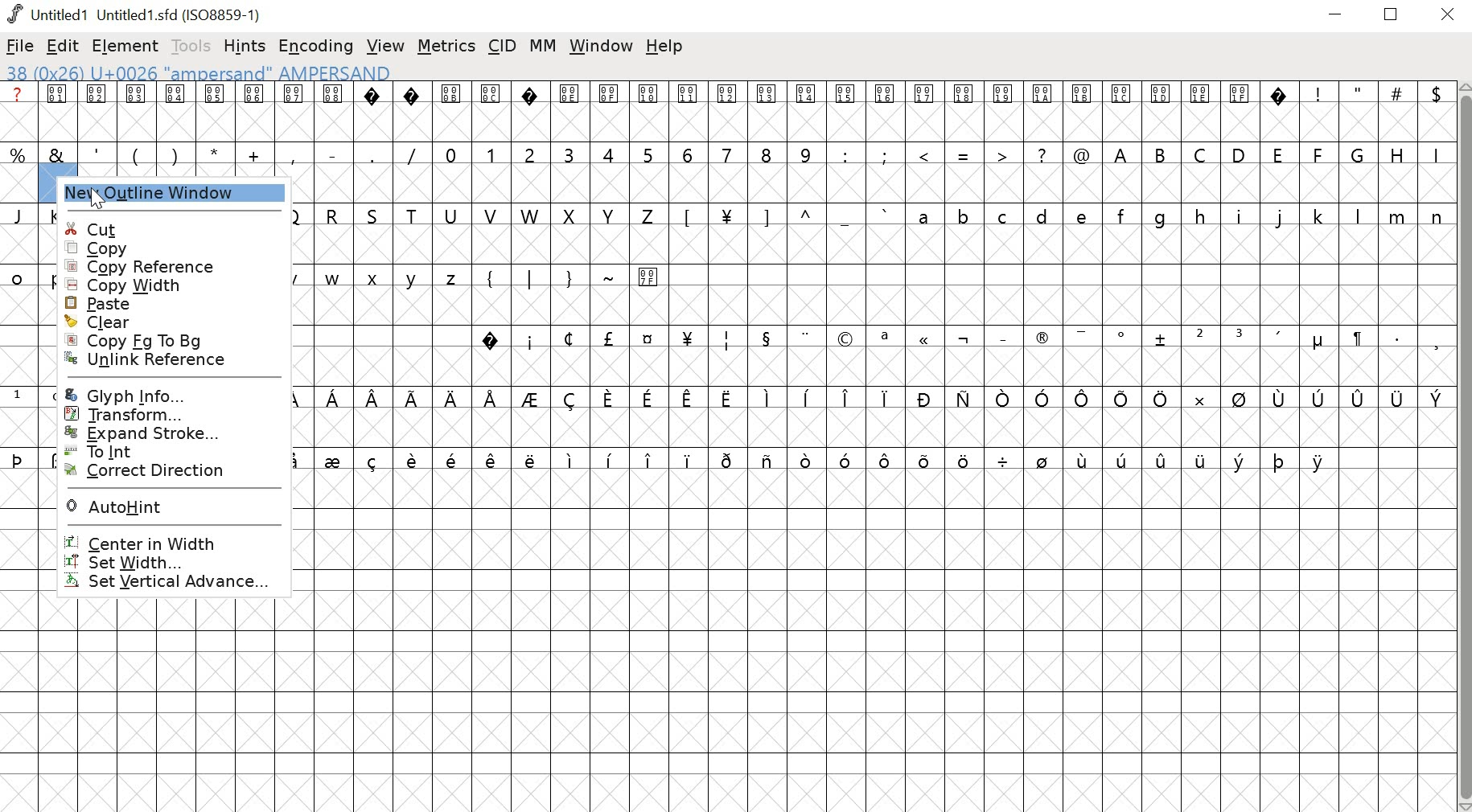  Describe the element at coordinates (1004, 460) in the screenshot. I see `symbol` at that location.